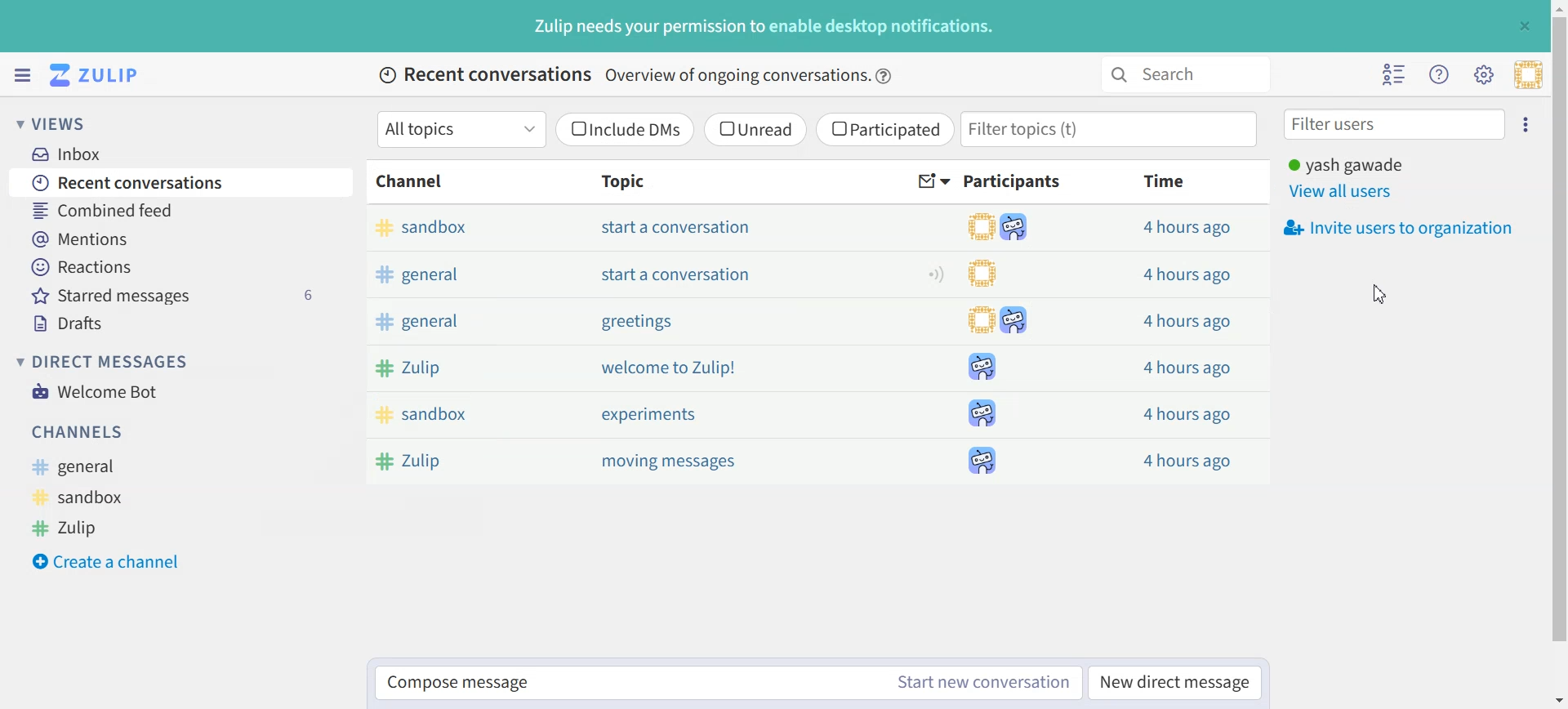 This screenshot has width=1568, height=709. What do you see at coordinates (475, 323) in the screenshot?
I see `#general` at bounding box center [475, 323].